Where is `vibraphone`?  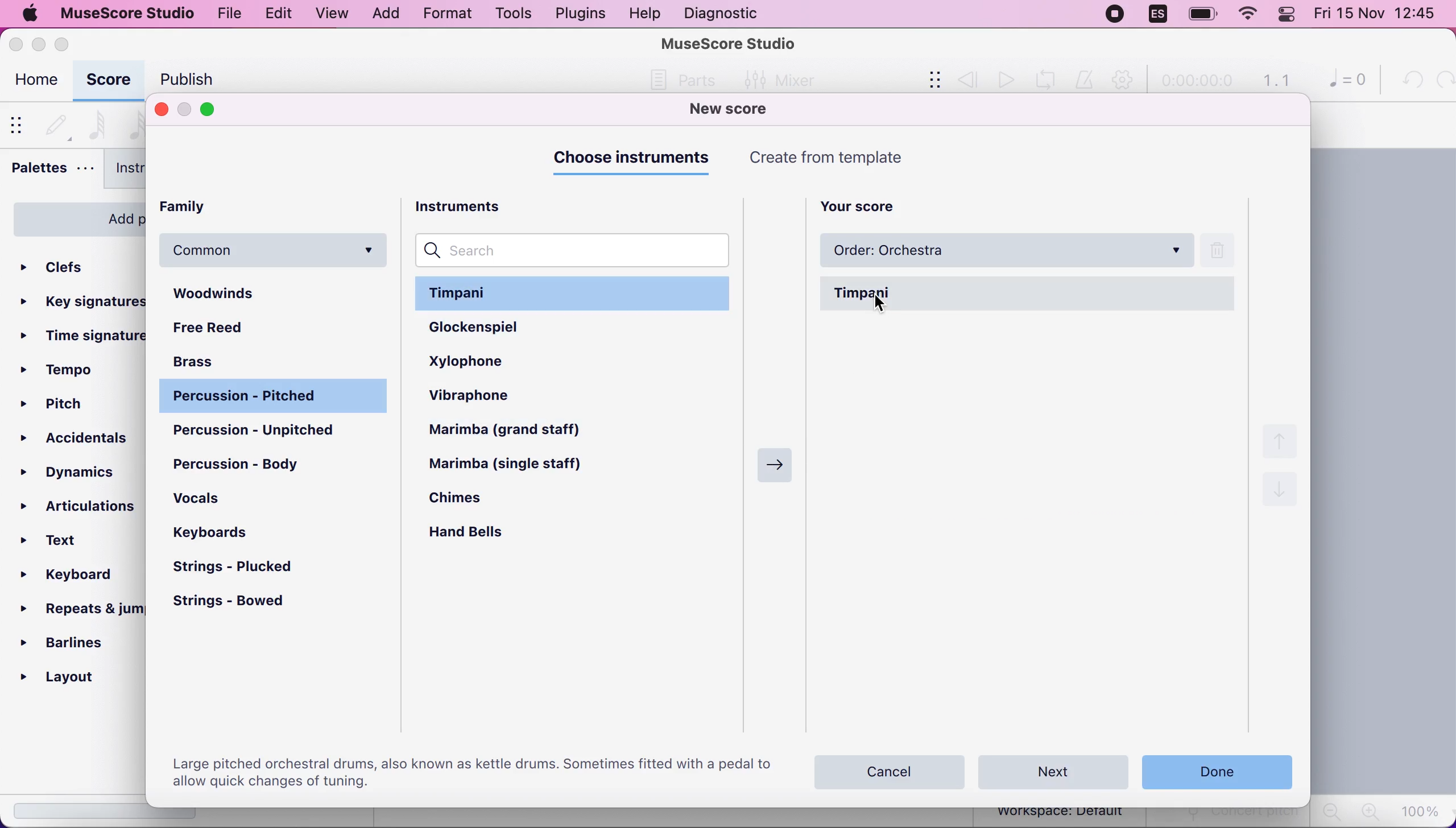 vibraphone is located at coordinates (490, 398).